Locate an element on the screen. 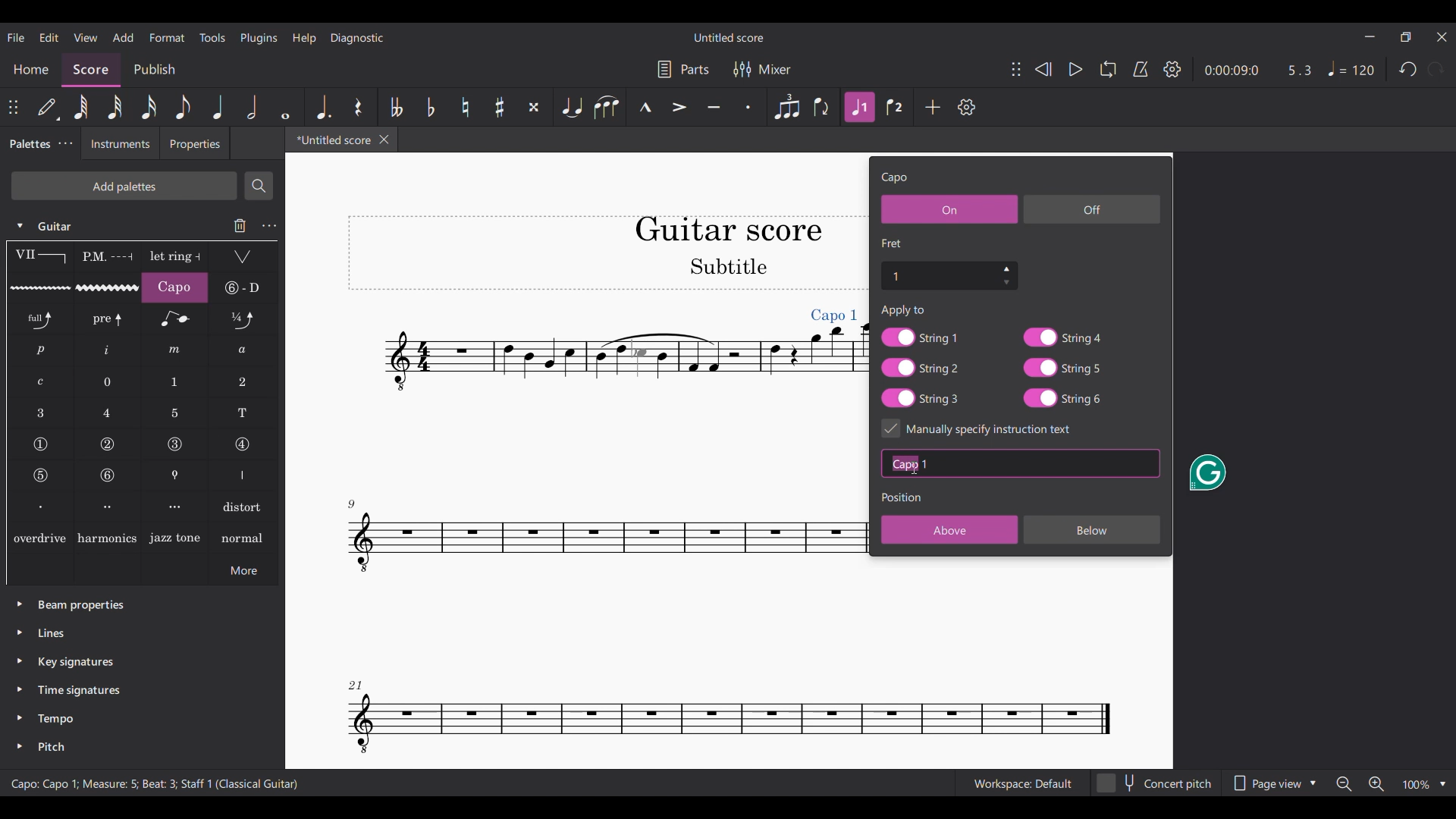  Tools menu is located at coordinates (212, 37).